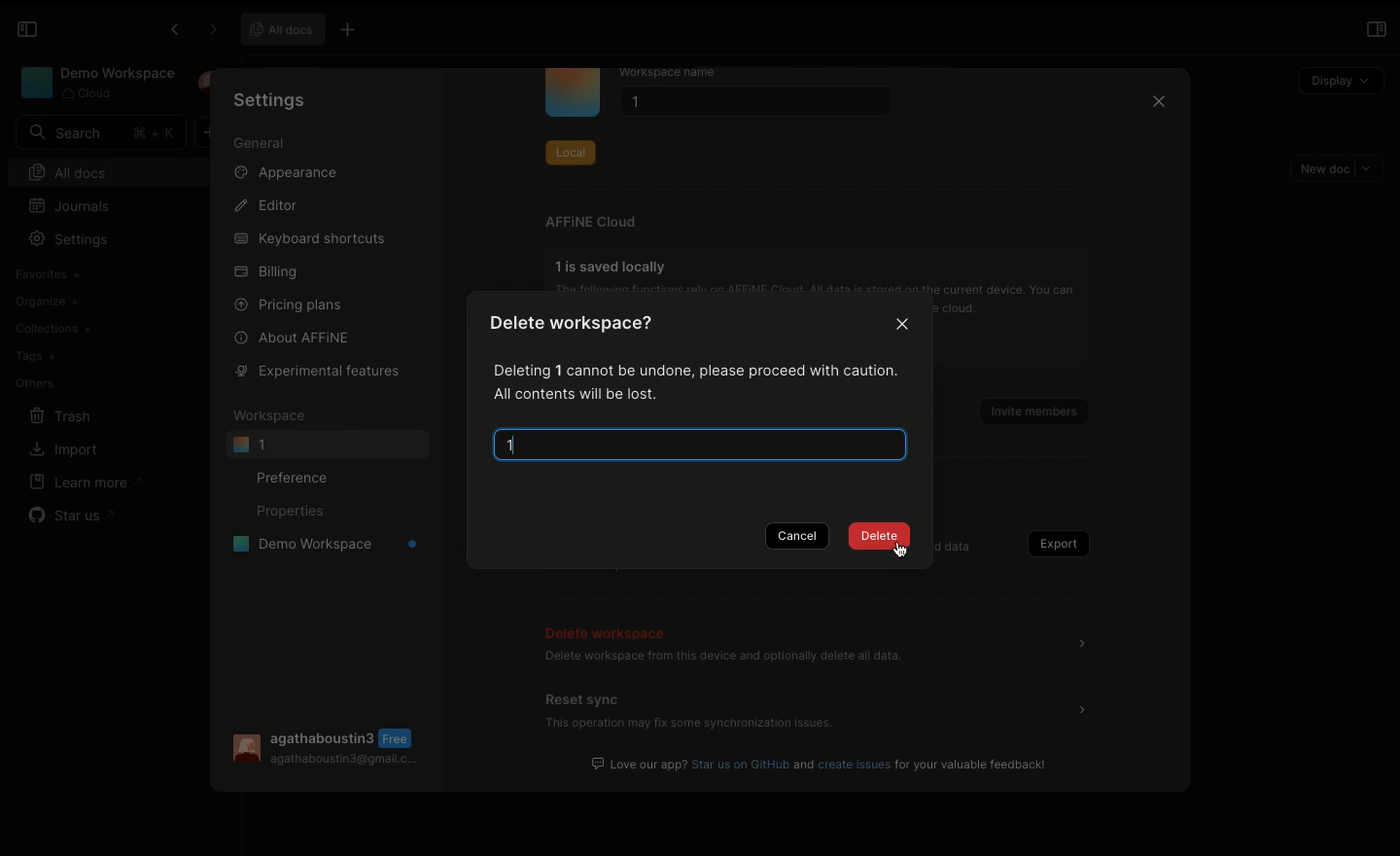 Image resolution: width=1400 pixels, height=856 pixels. What do you see at coordinates (294, 176) in the screenshot?
I see `Appearance` at bounding box center [294, 176].